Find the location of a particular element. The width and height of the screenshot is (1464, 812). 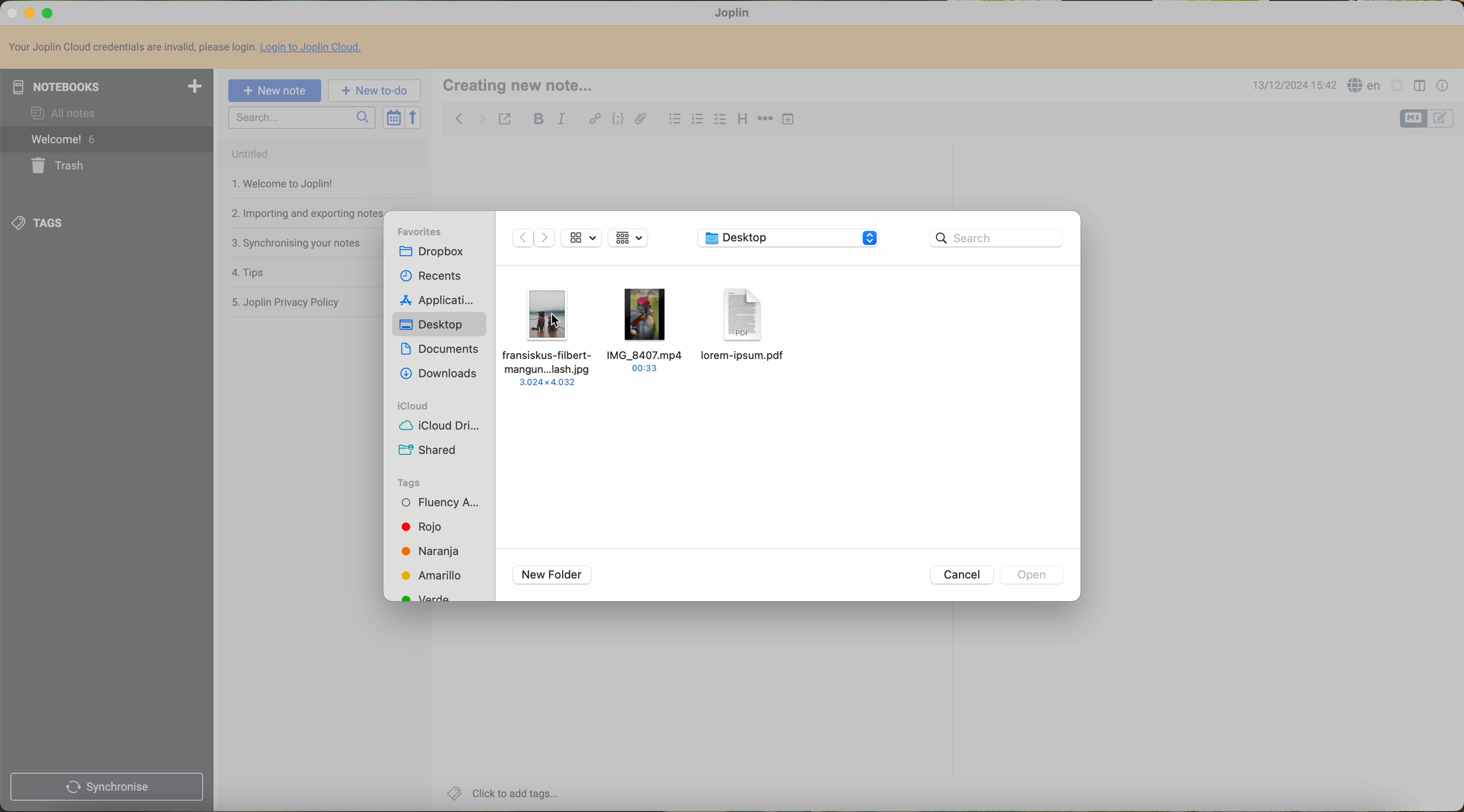

applications is located at coordinates (441, 301).